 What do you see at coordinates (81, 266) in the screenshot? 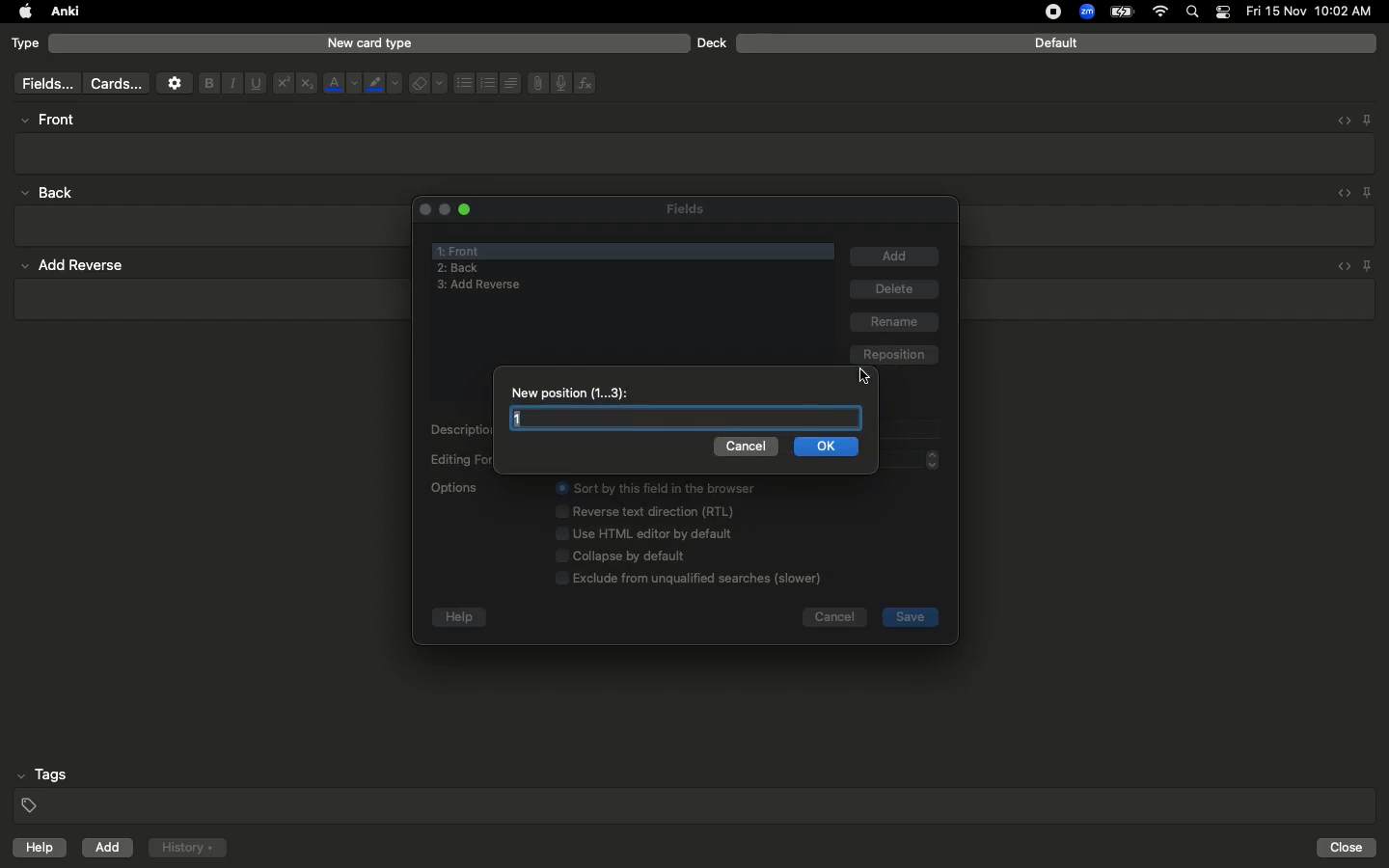
I see `add reverse` at bounding box center [81, 266].